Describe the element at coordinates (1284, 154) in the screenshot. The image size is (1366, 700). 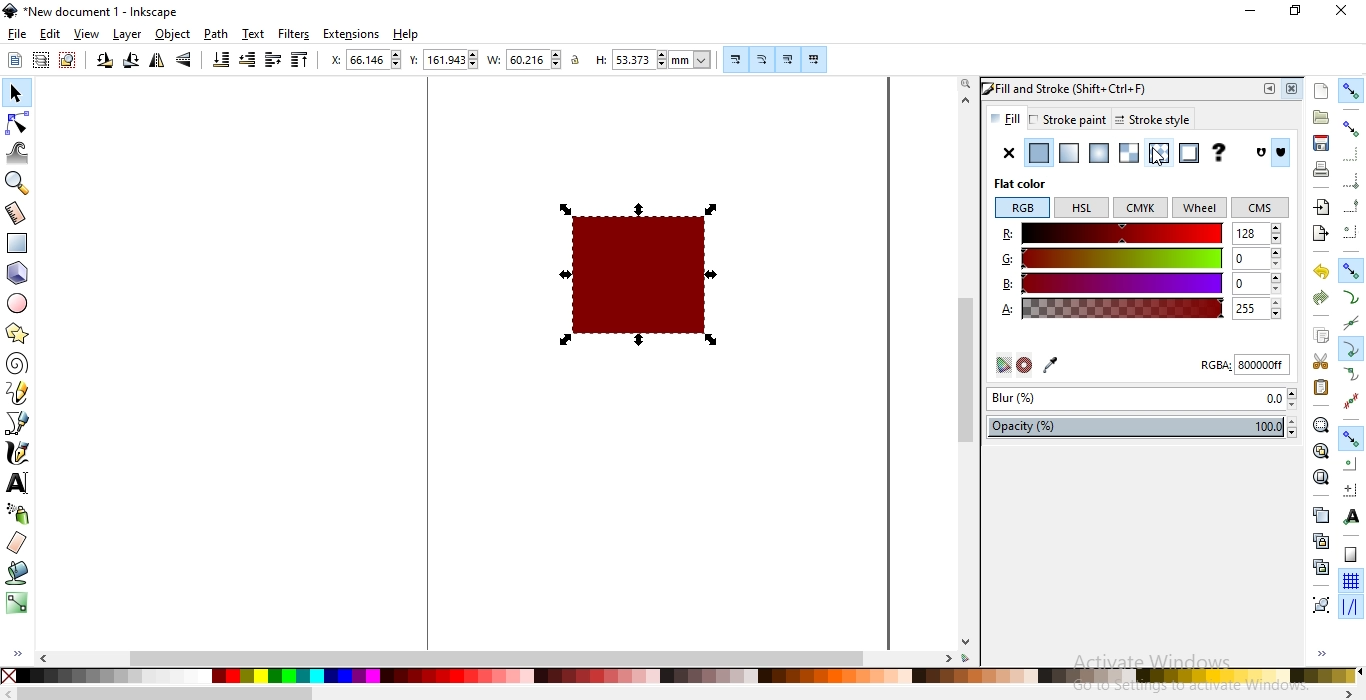
I see `icon` at that location.